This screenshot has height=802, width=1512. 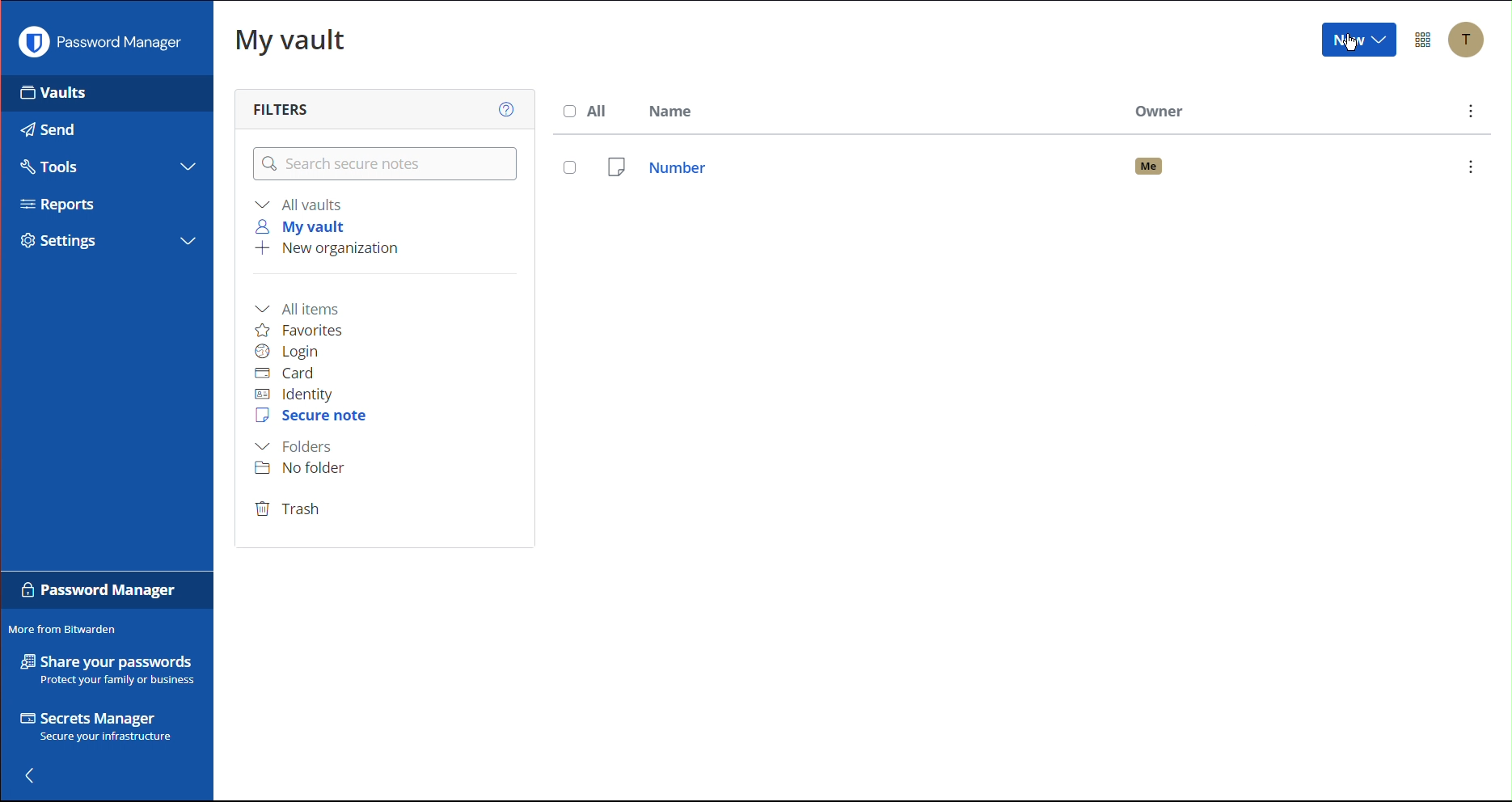 I want to click on Help, so click(x=504, y=107).